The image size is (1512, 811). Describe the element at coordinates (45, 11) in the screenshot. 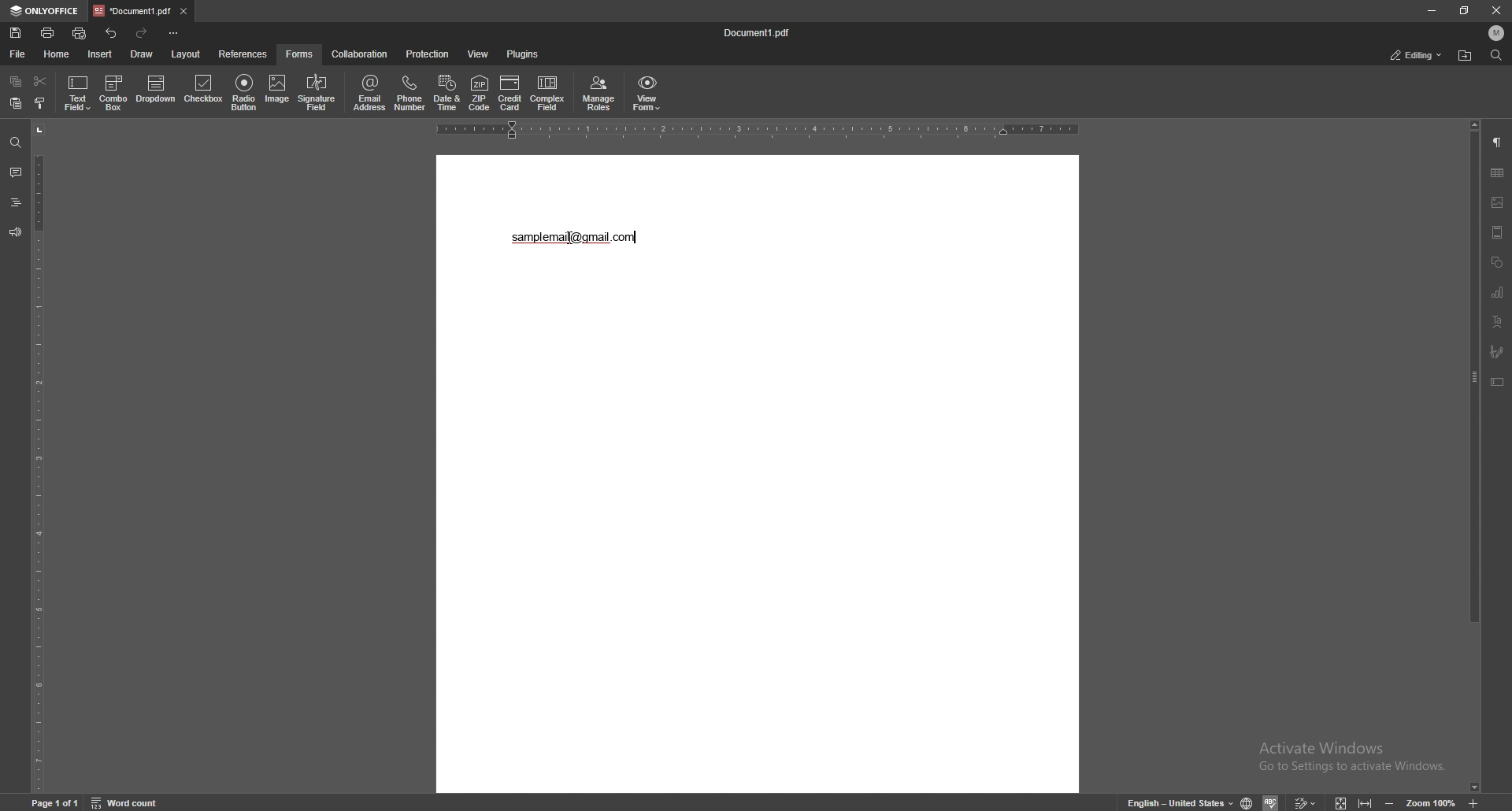

I see `onlyoffice` at that location.